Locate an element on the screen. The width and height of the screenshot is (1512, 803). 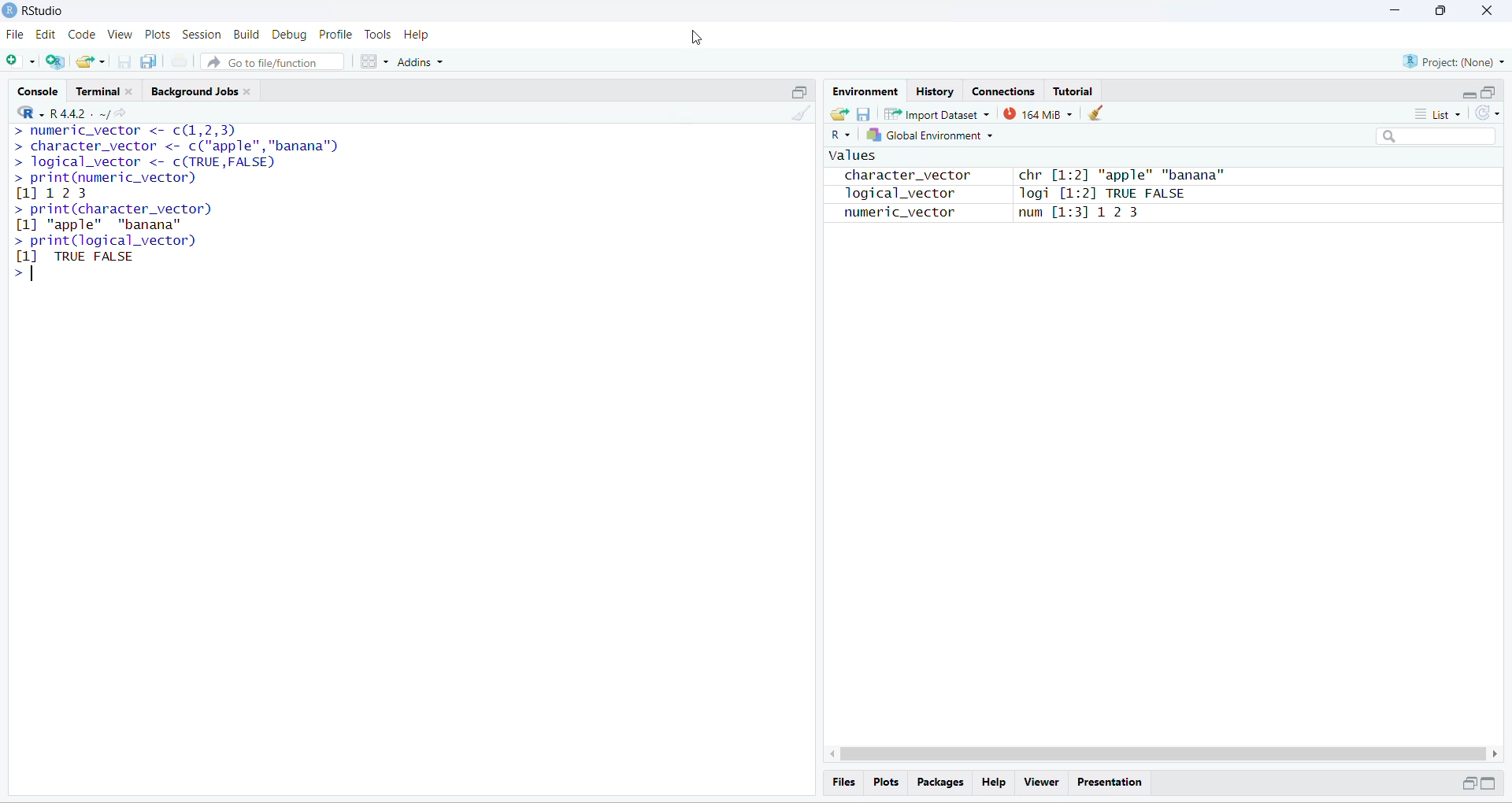
R is located at coordinates (839, 135).